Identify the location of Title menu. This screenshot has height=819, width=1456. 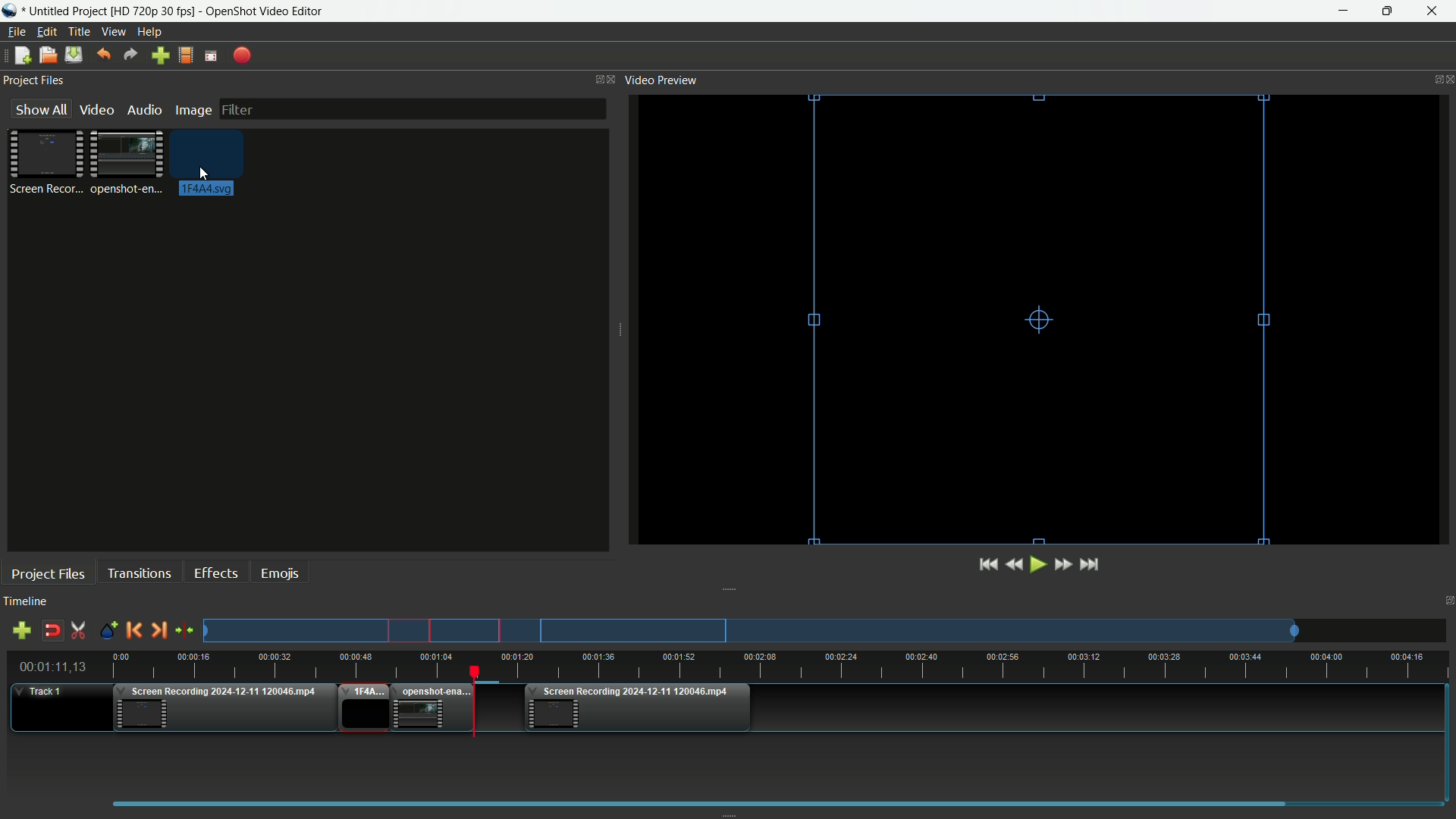
(76, 33).